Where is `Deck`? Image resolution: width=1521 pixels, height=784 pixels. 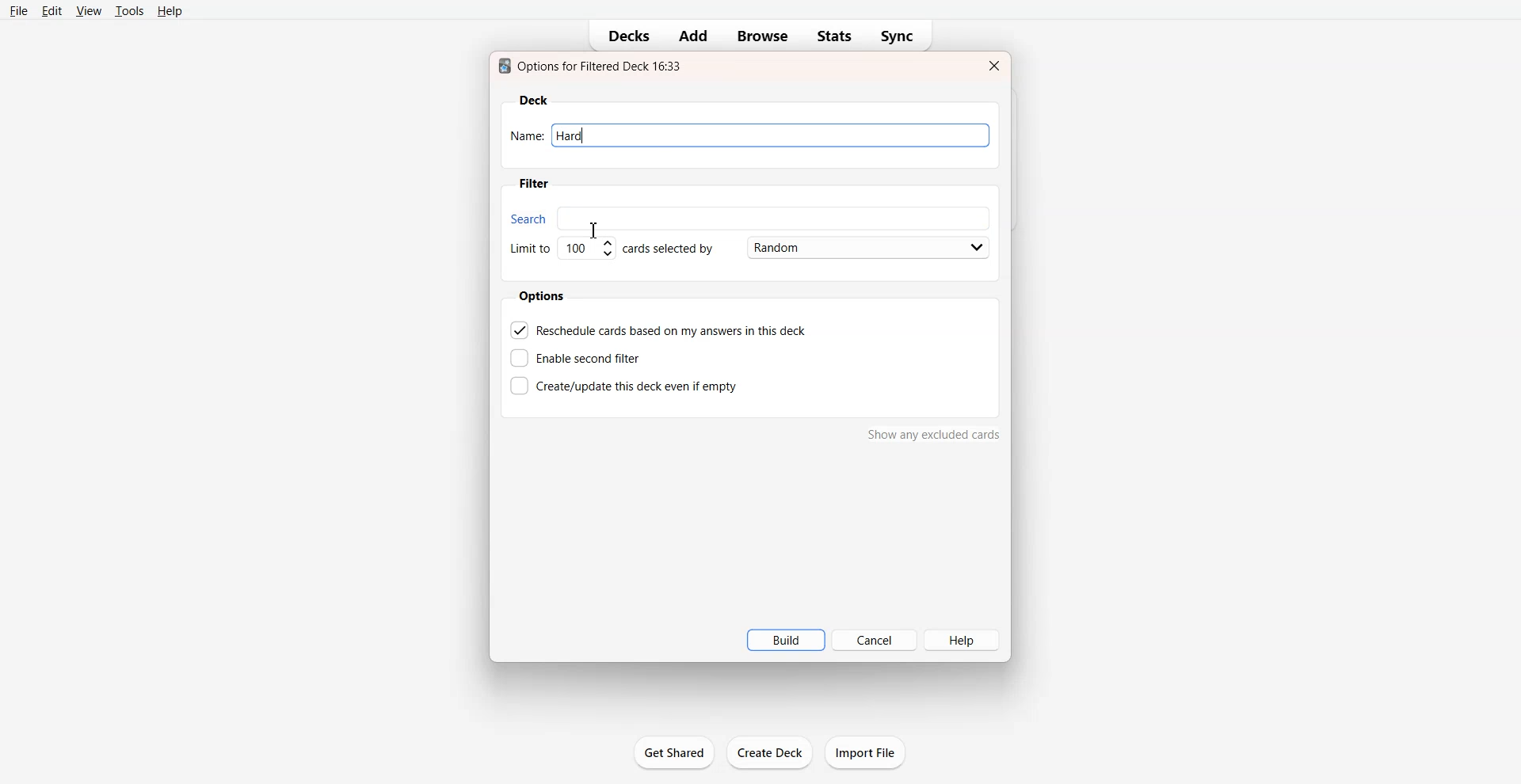
Deck is located at coordinates (534, 101).